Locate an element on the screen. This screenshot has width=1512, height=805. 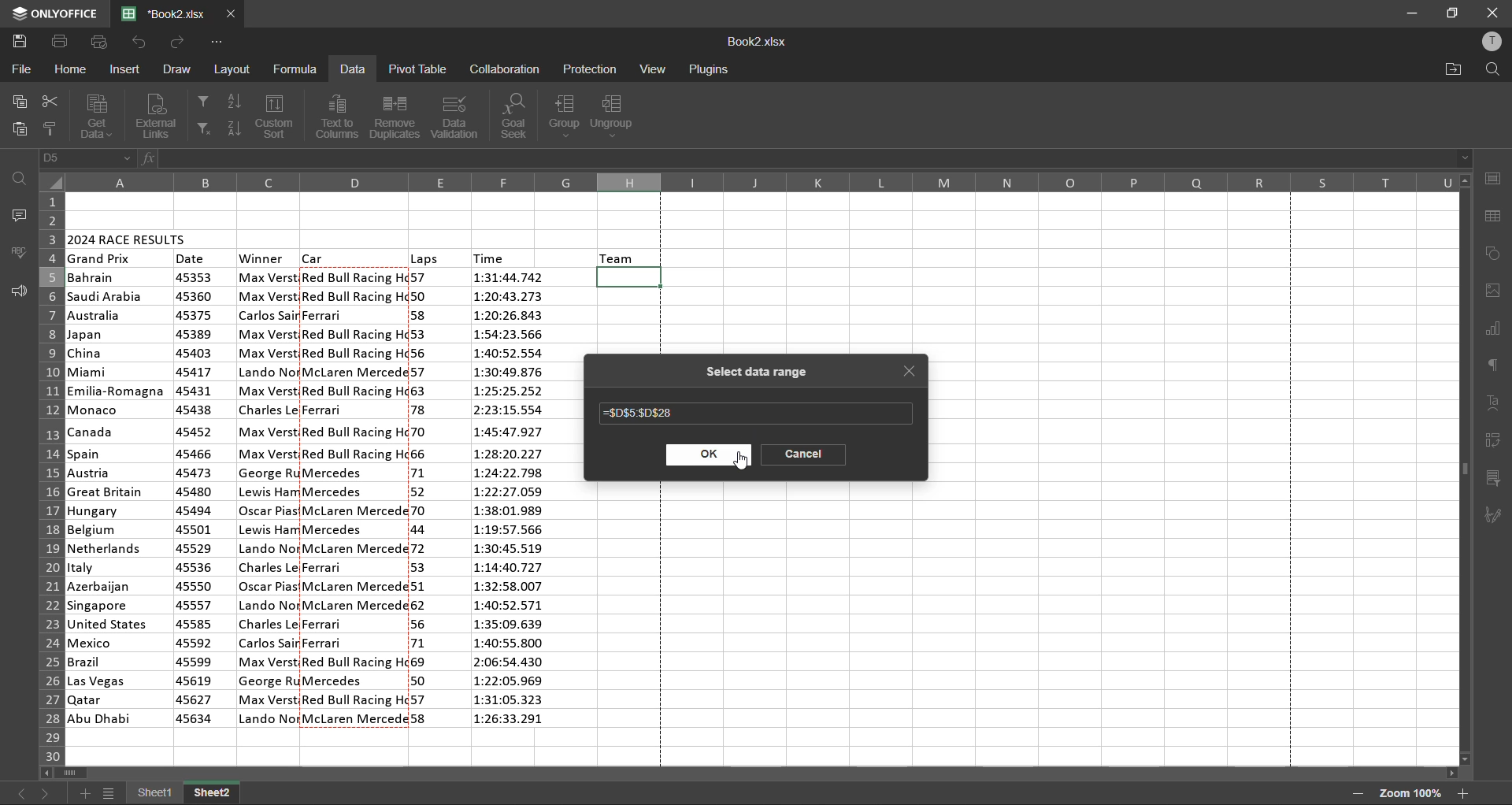
get data is located at coordinates (95, 116).